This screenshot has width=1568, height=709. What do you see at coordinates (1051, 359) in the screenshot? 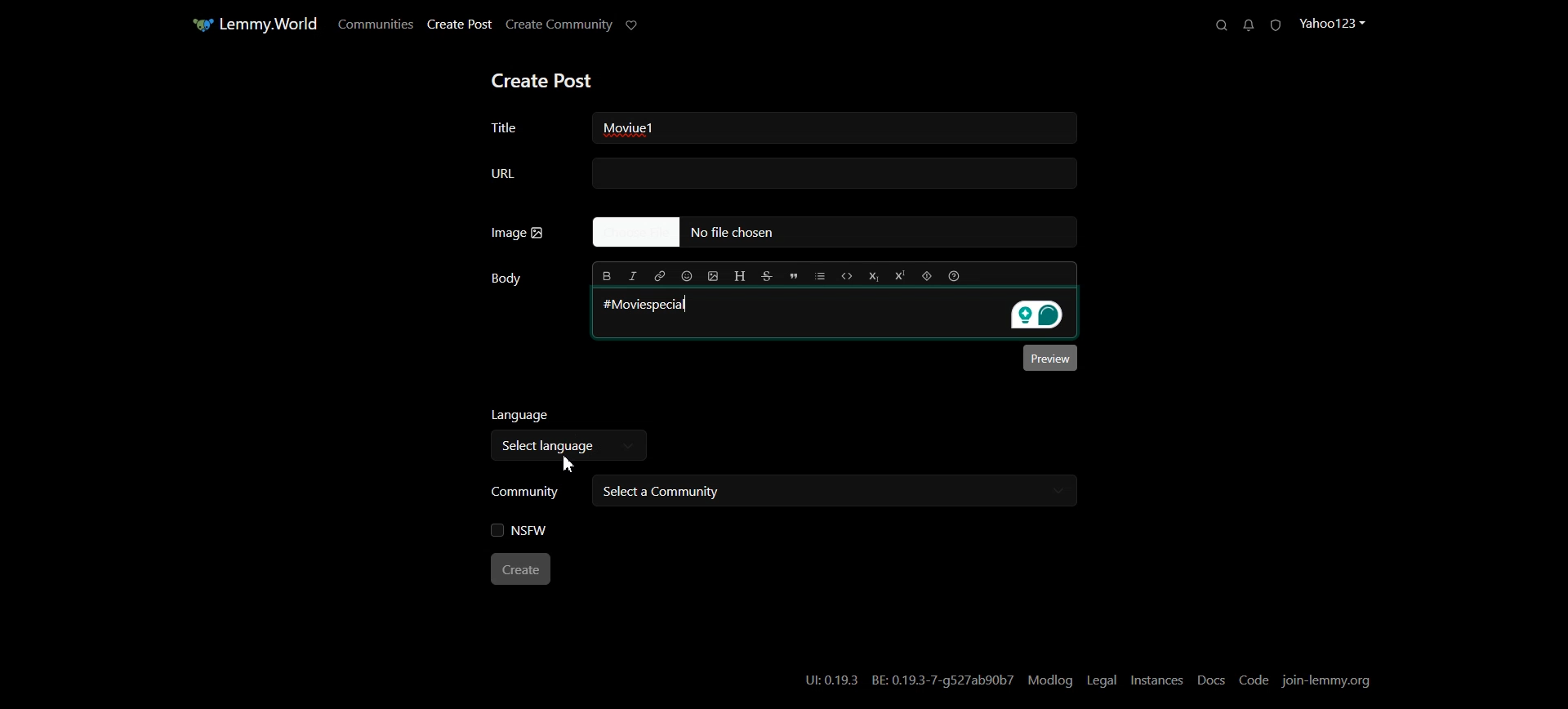
I see `Preview` at bounding box center [1051, 359].